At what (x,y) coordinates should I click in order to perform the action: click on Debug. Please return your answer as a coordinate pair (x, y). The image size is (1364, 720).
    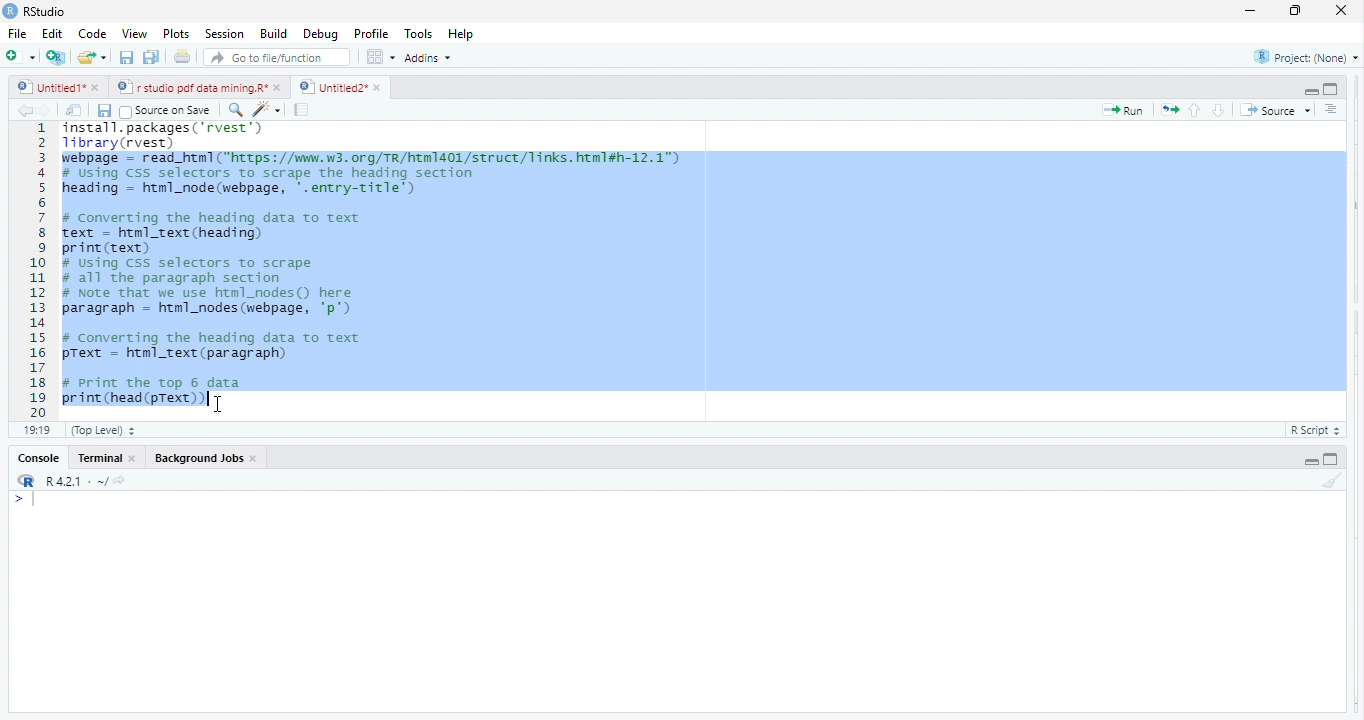
    Looking at the image, I should click on (321, 35).